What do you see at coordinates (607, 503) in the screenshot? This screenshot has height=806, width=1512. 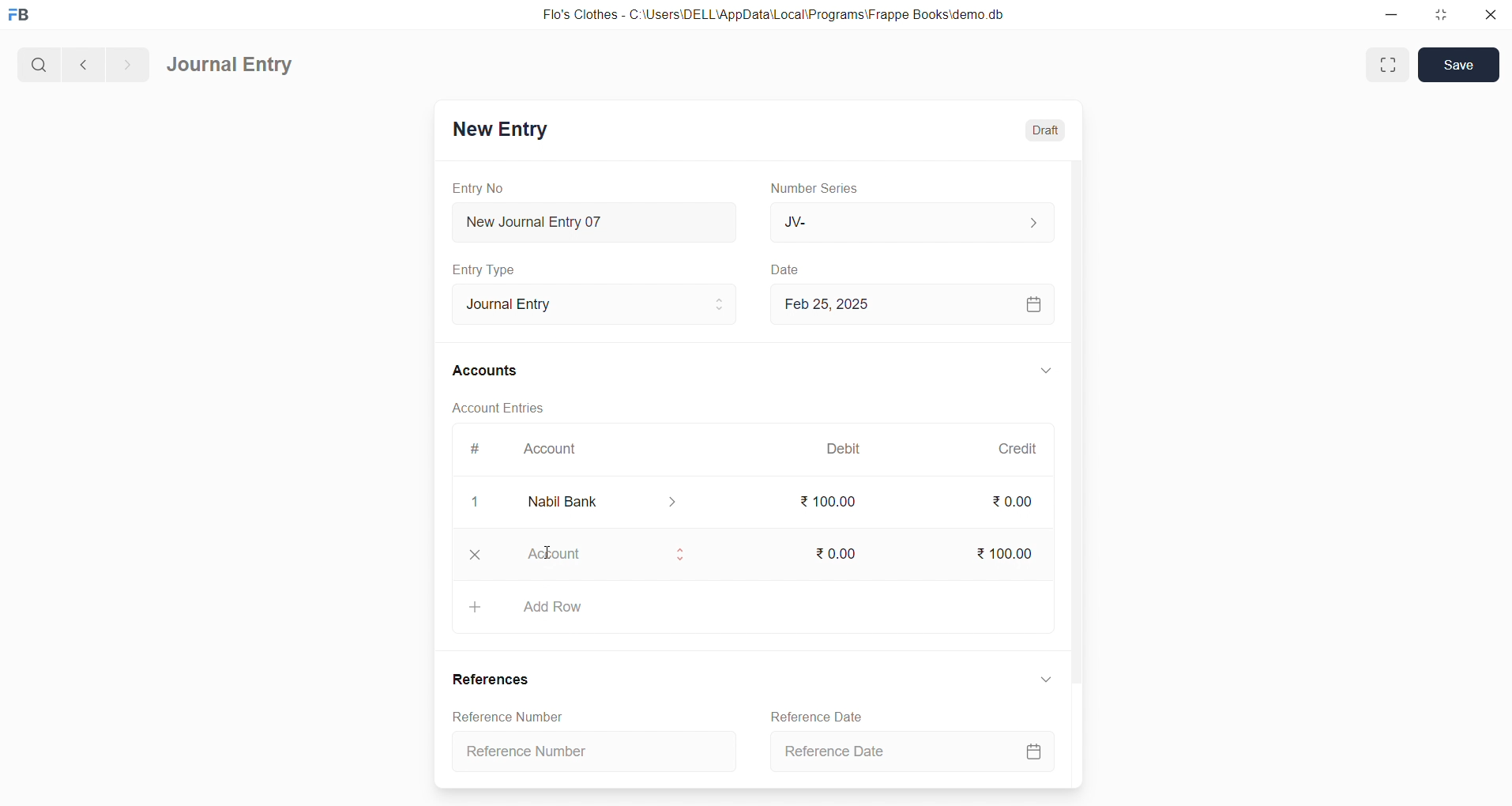 I see `Nabil Bank` at bounding box center [607, 503].